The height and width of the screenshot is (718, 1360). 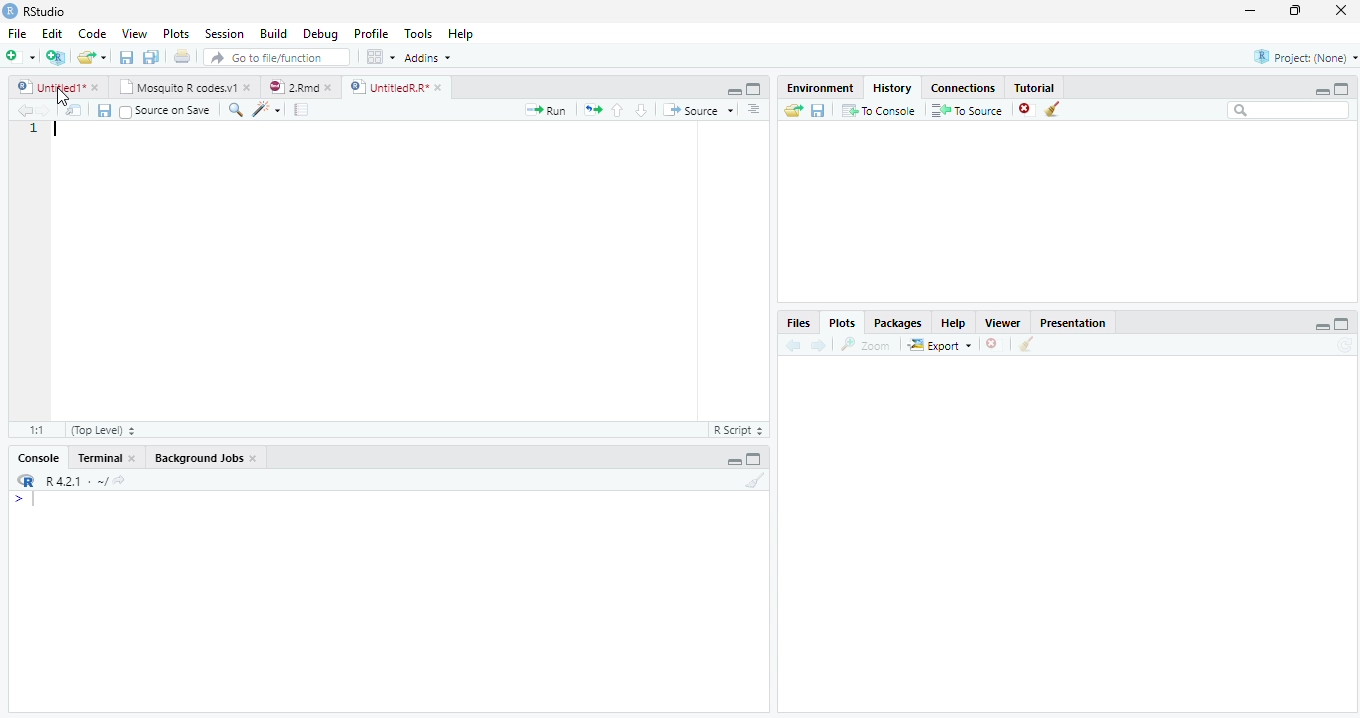 I want to click on Save all, so click(x=153, y=58).